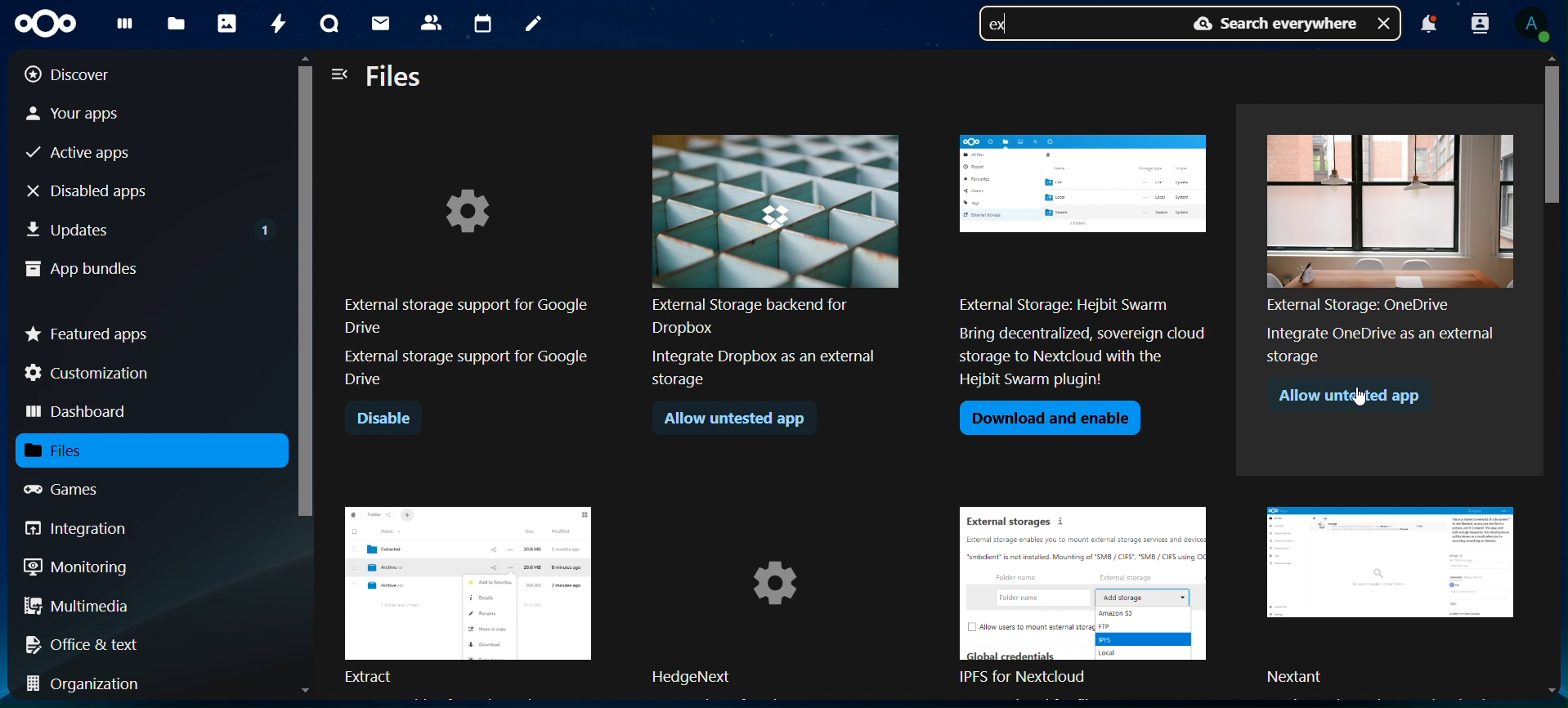  What do you see at coordinates (1093, 598) in the screenshot?
I see `IPFS for nextcloud` at bounding box center [1093, 598].